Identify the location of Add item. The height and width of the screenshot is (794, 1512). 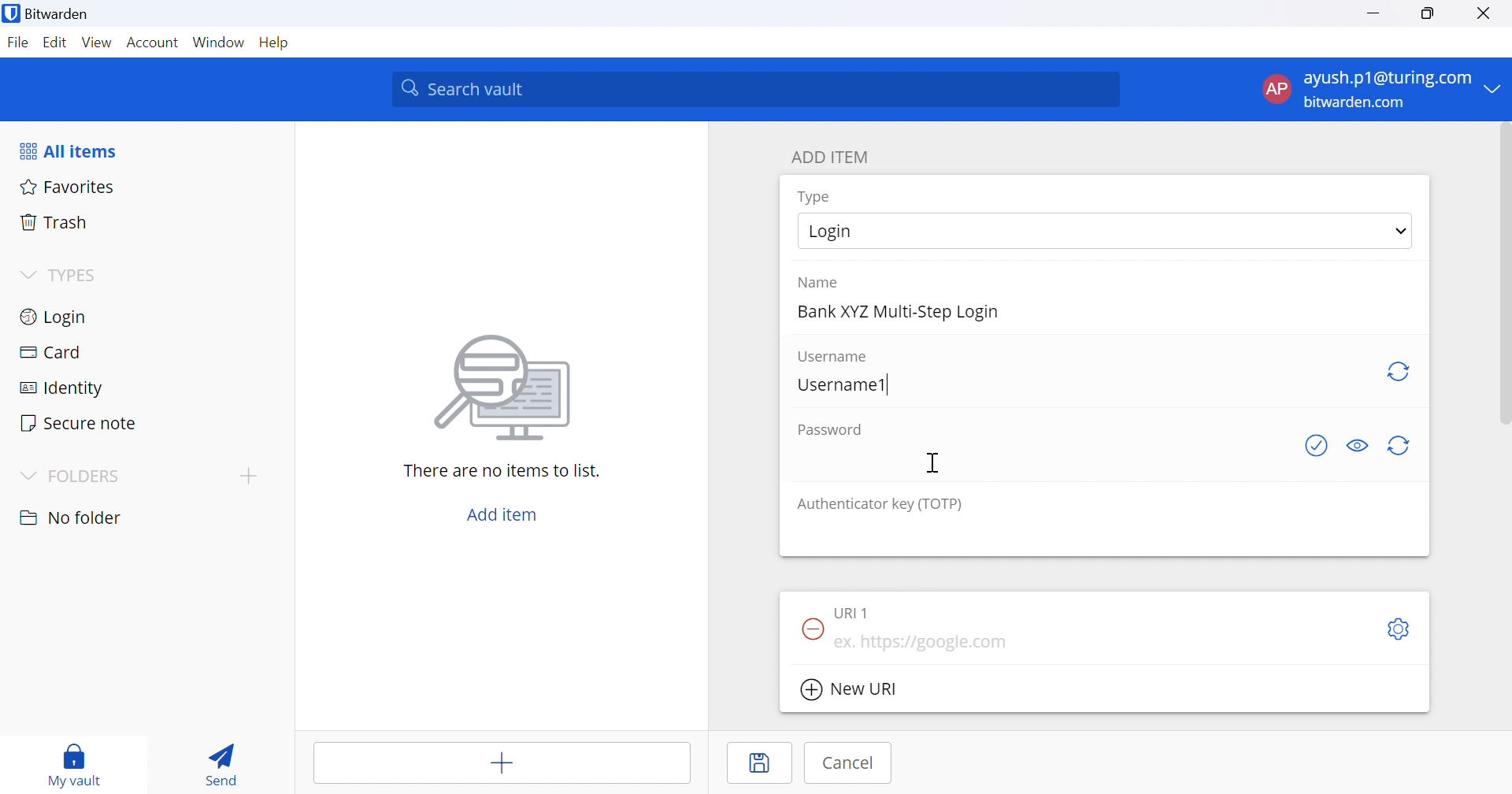
(504, 762).